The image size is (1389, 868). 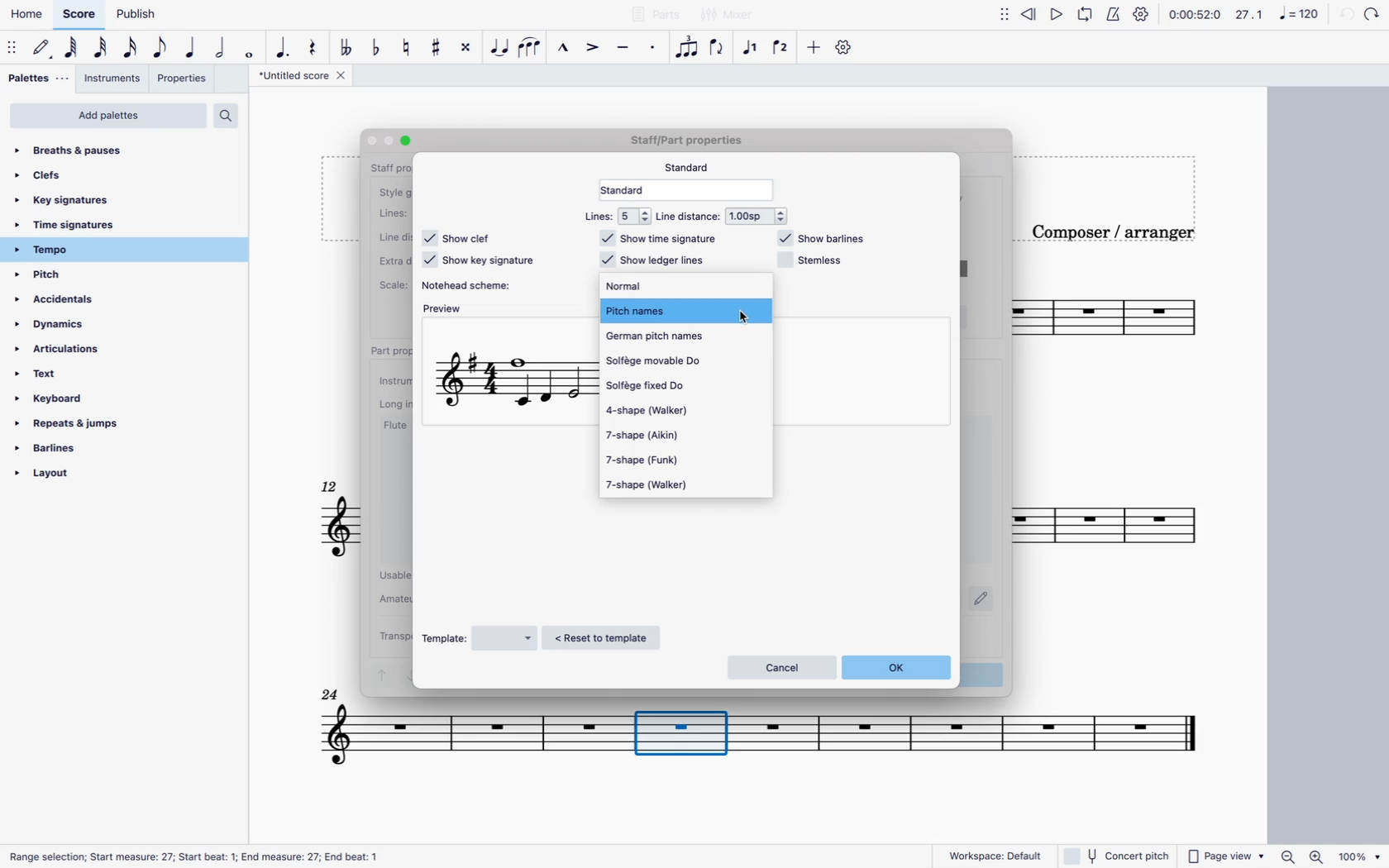 What do you see at coordinates (746, 316) in the screenshot?
I see `cursor on pitch names` at bounding box center [746, 316].